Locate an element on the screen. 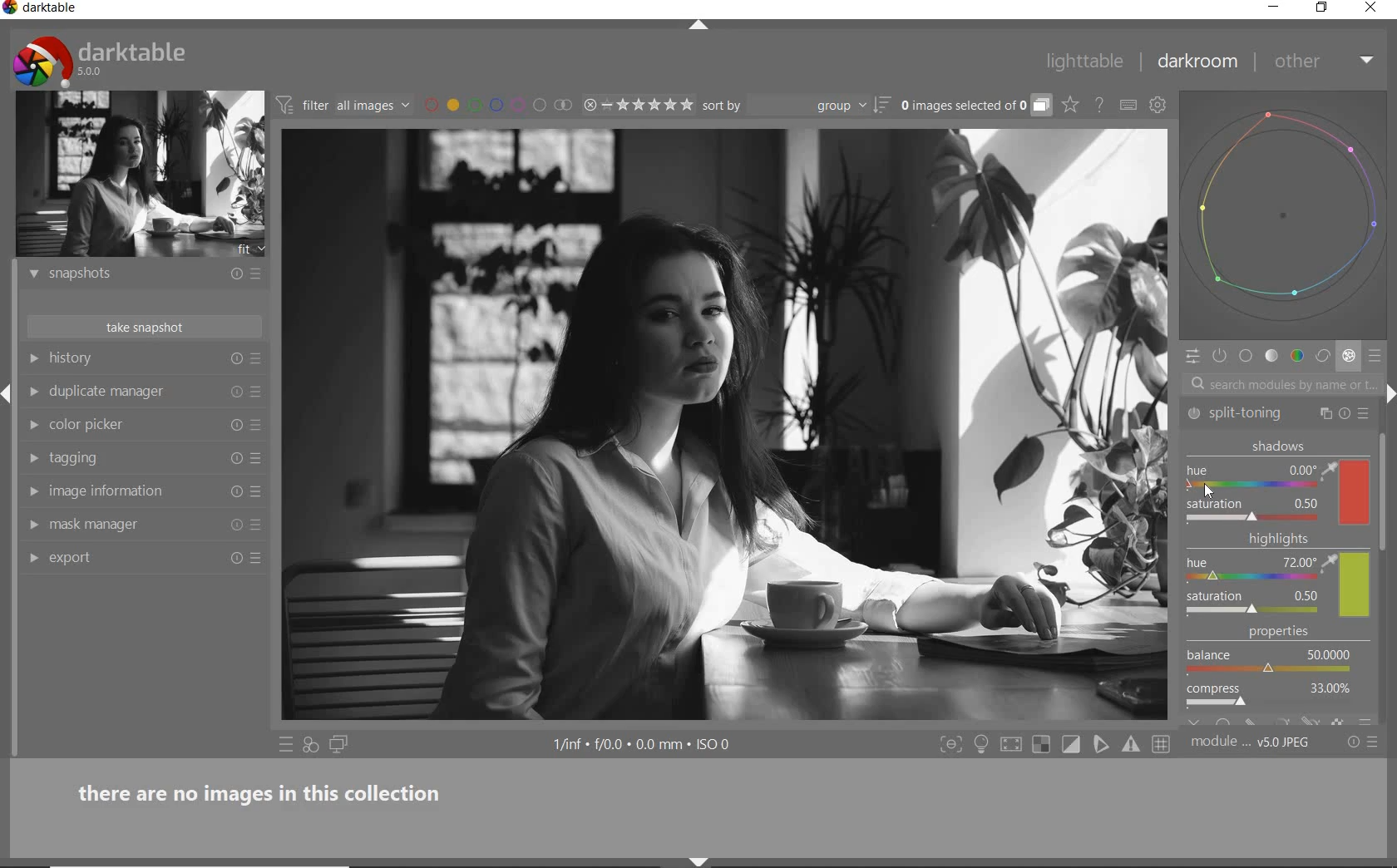  presets is located at coordinates (1377, 357).